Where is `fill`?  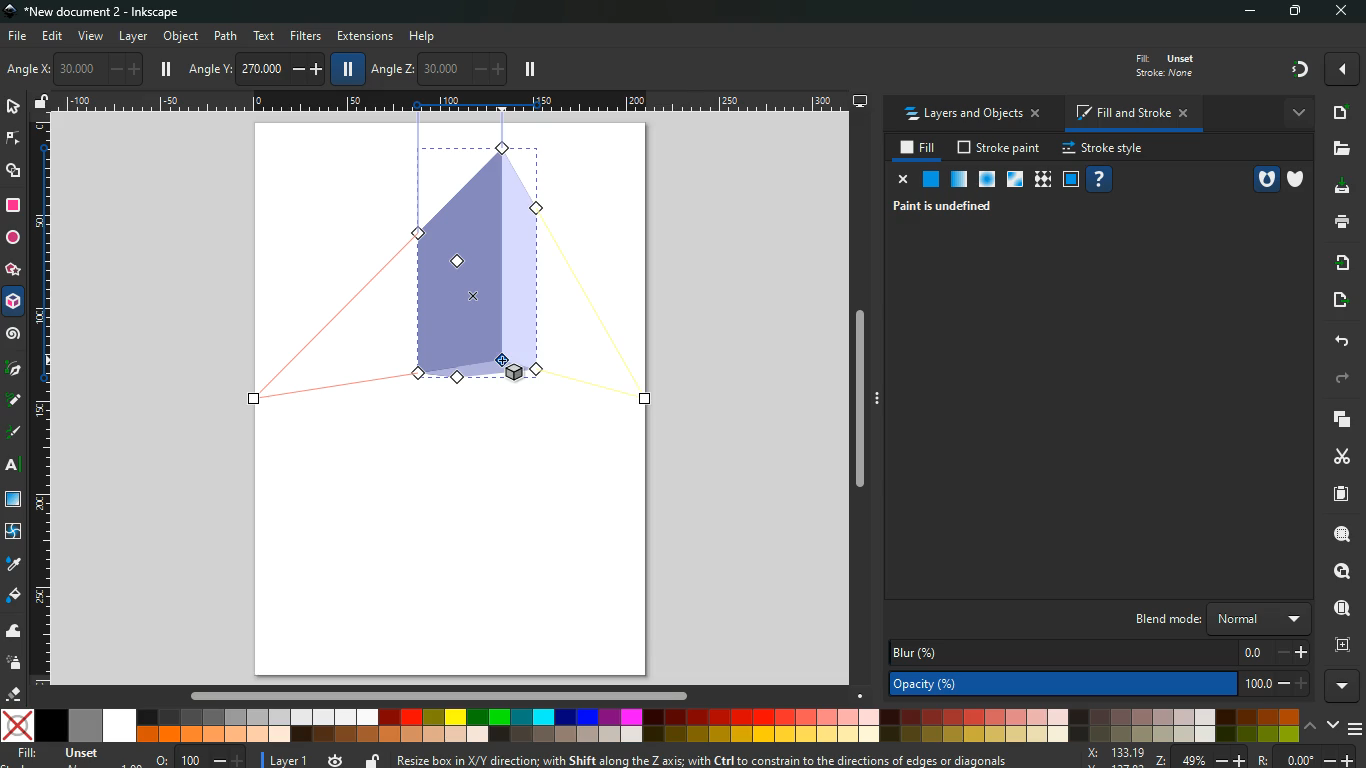 fill is located at coordinates (14, 596).